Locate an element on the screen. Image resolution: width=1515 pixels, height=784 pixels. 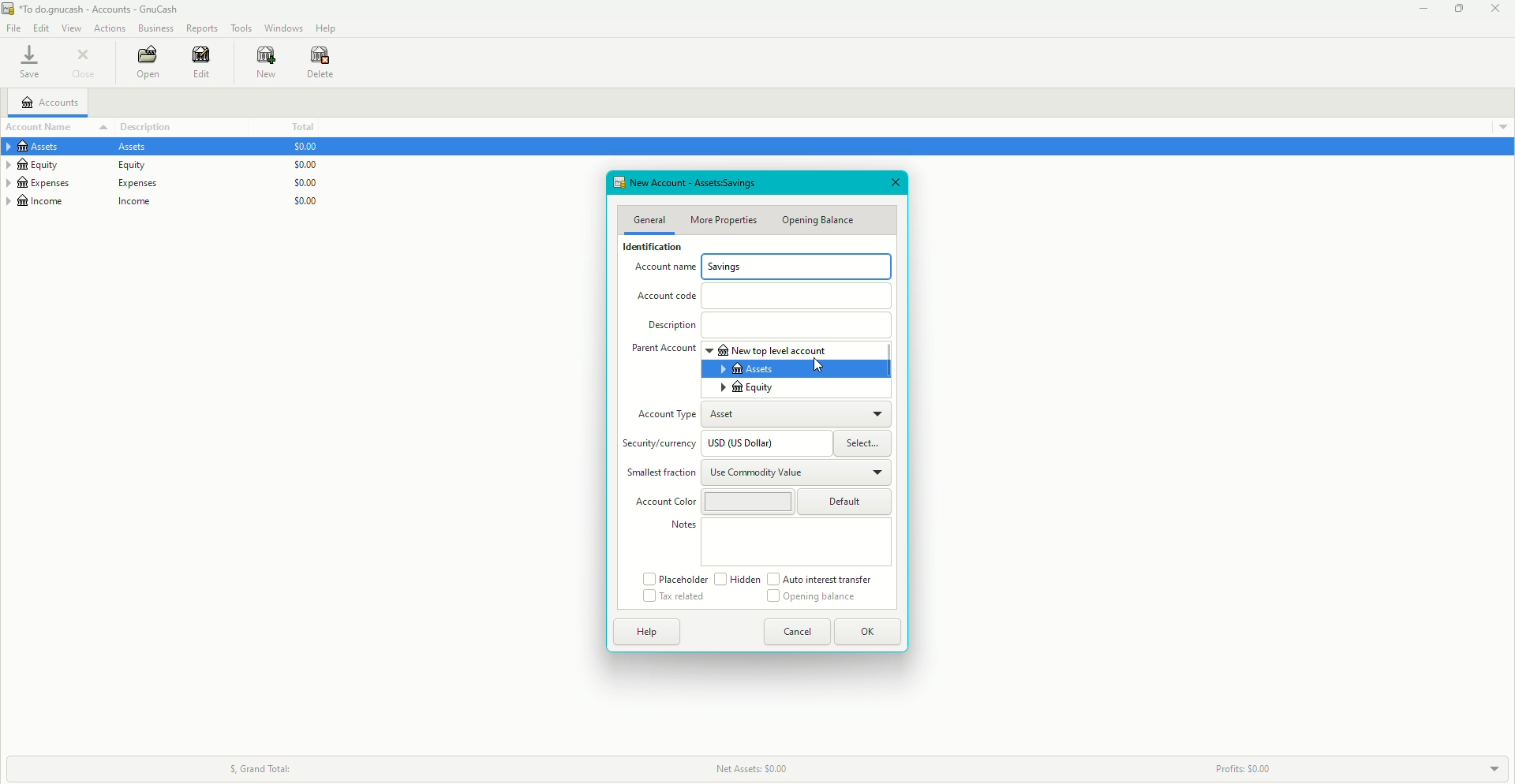
Tax related is located at coordinates (675, 598).